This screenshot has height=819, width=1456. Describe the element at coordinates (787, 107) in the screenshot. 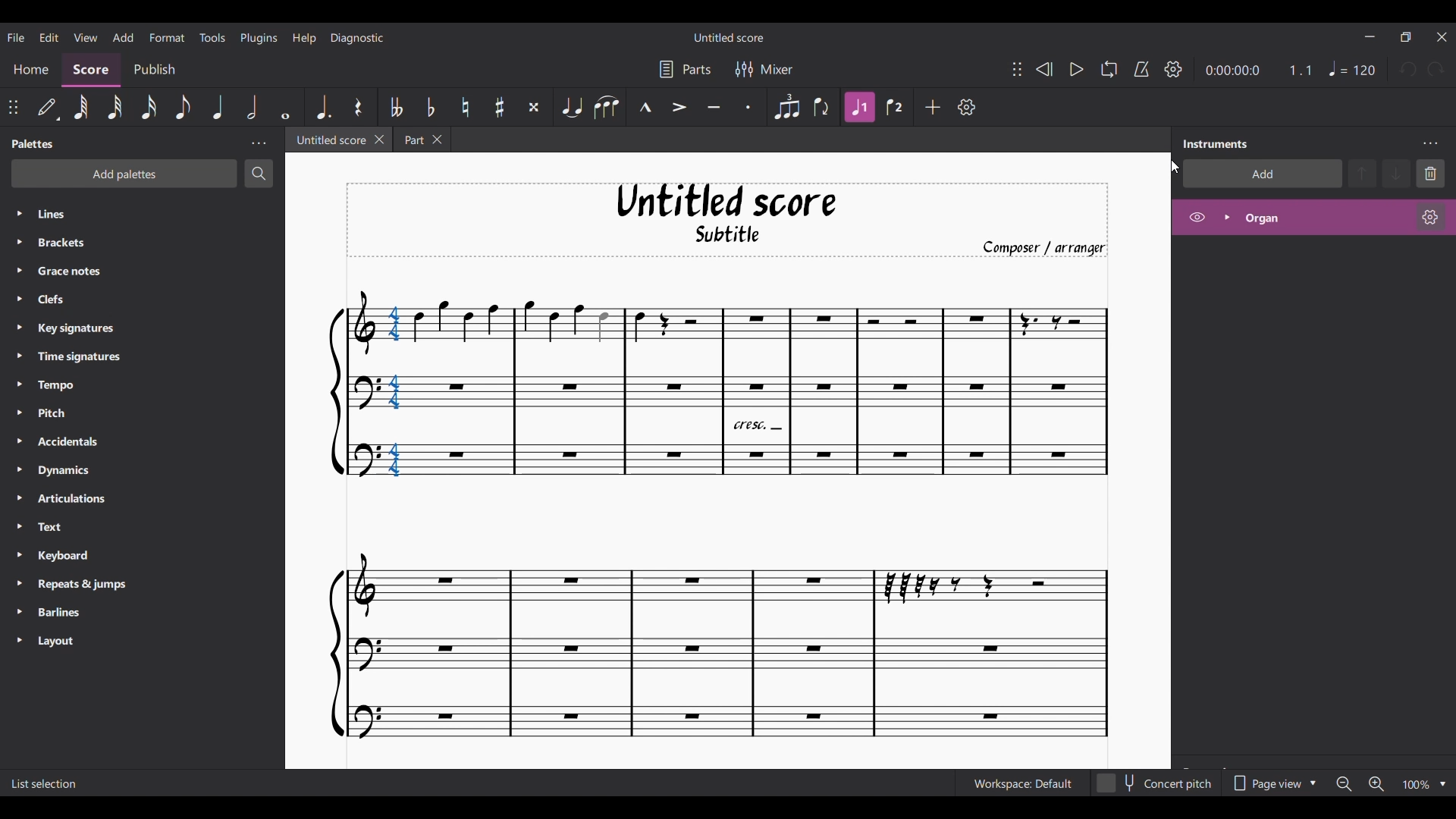

I see `Tuplet` at that location.